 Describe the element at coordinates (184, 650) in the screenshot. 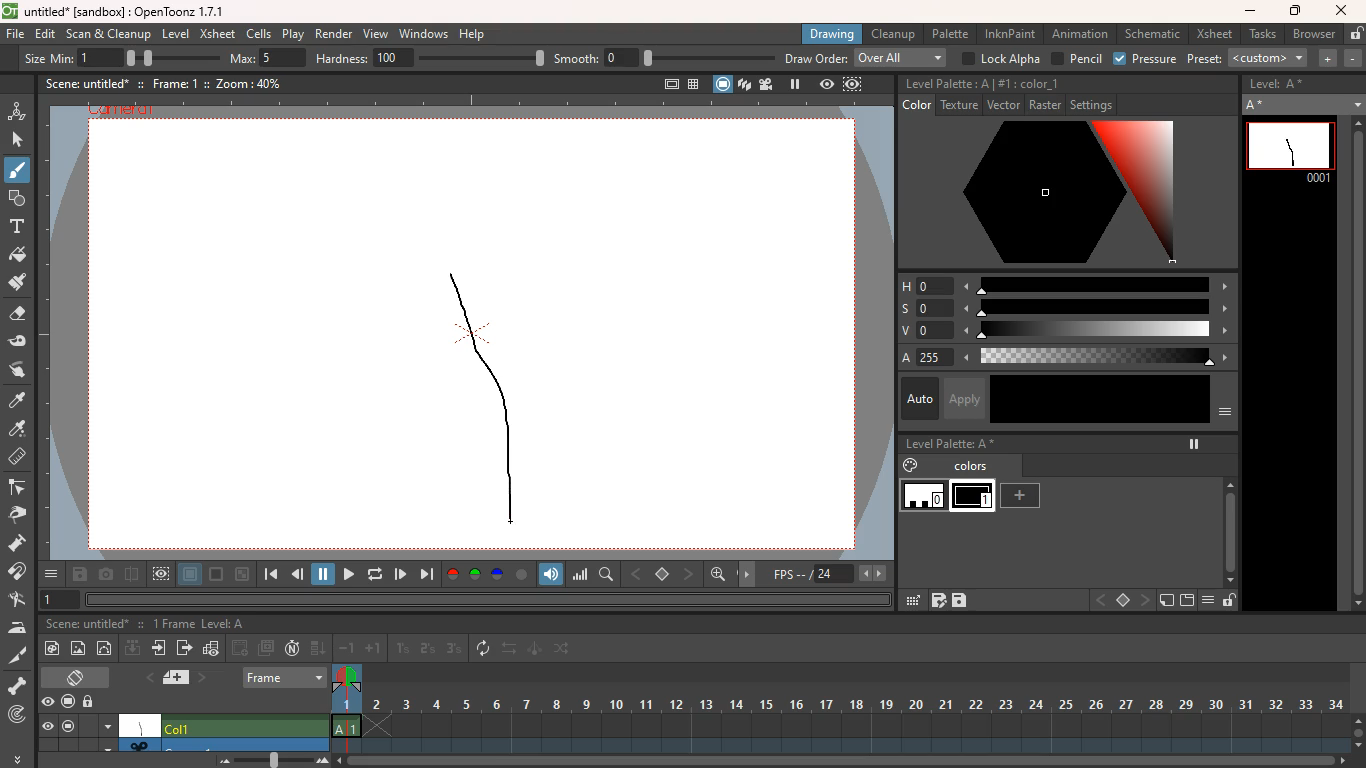

I see `forward` at that location.